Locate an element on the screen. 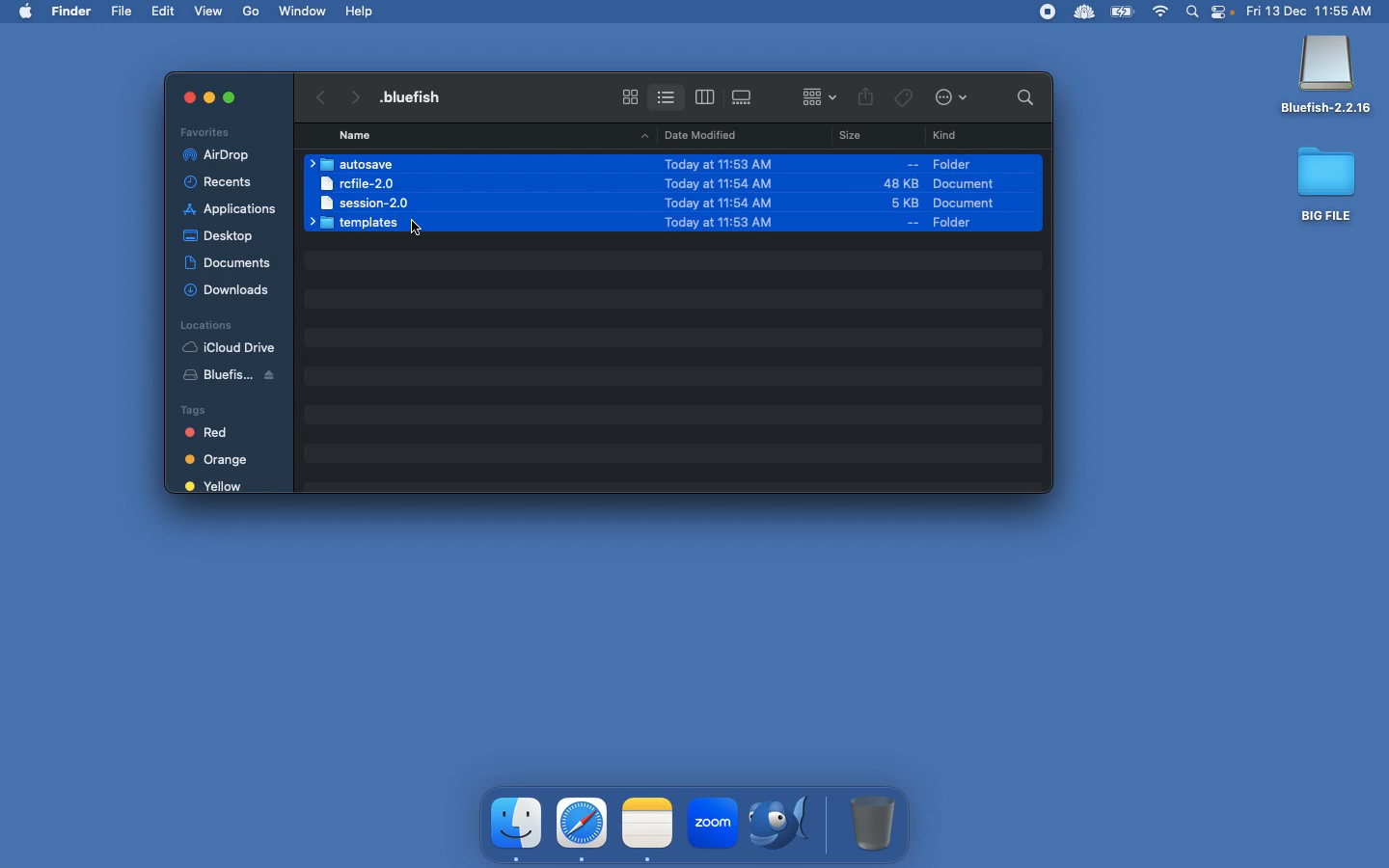  Notification is located at coordinates (1224, 14).